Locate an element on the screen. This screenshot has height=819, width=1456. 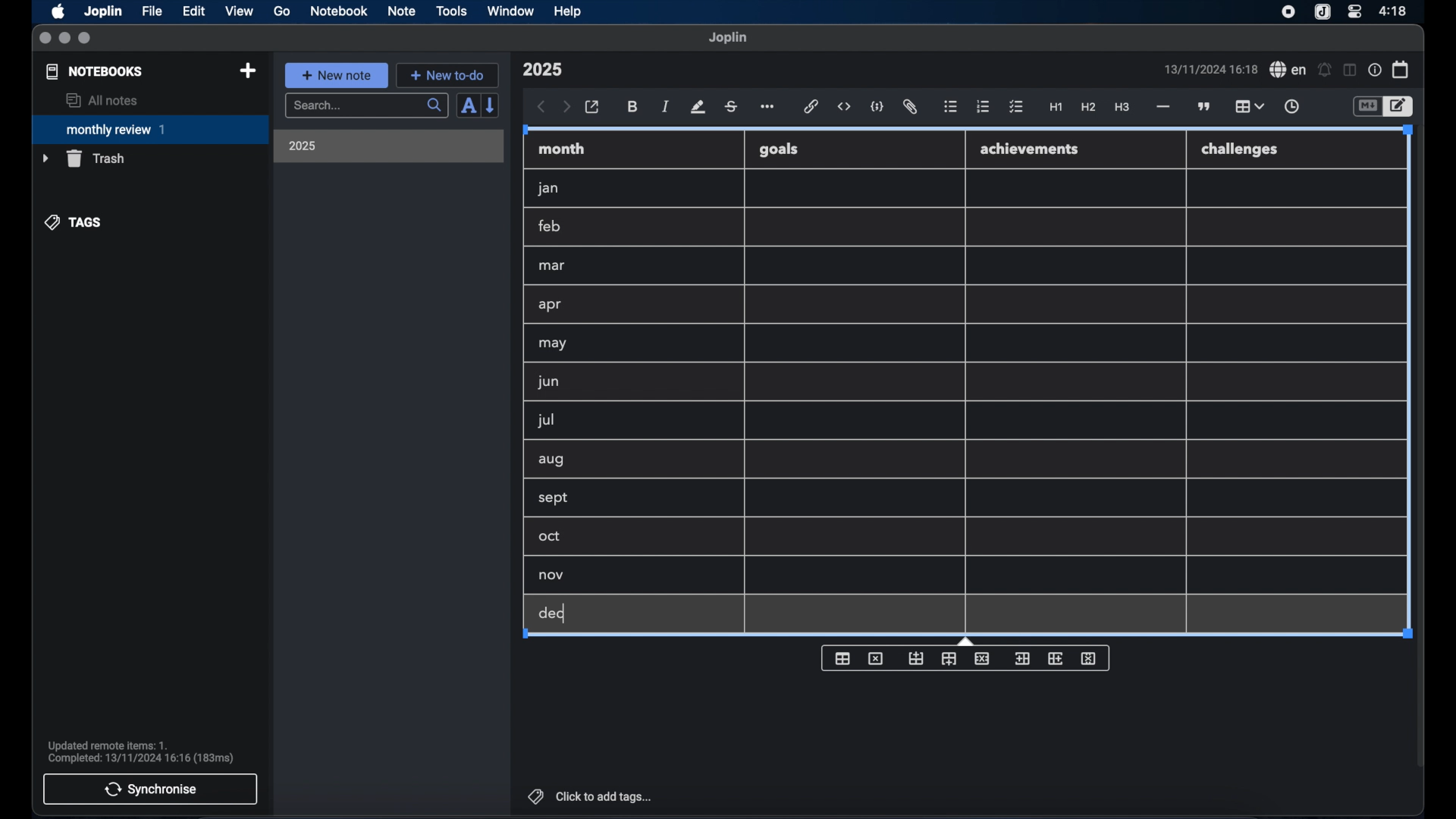
edit is located at coordinates (195, 11).